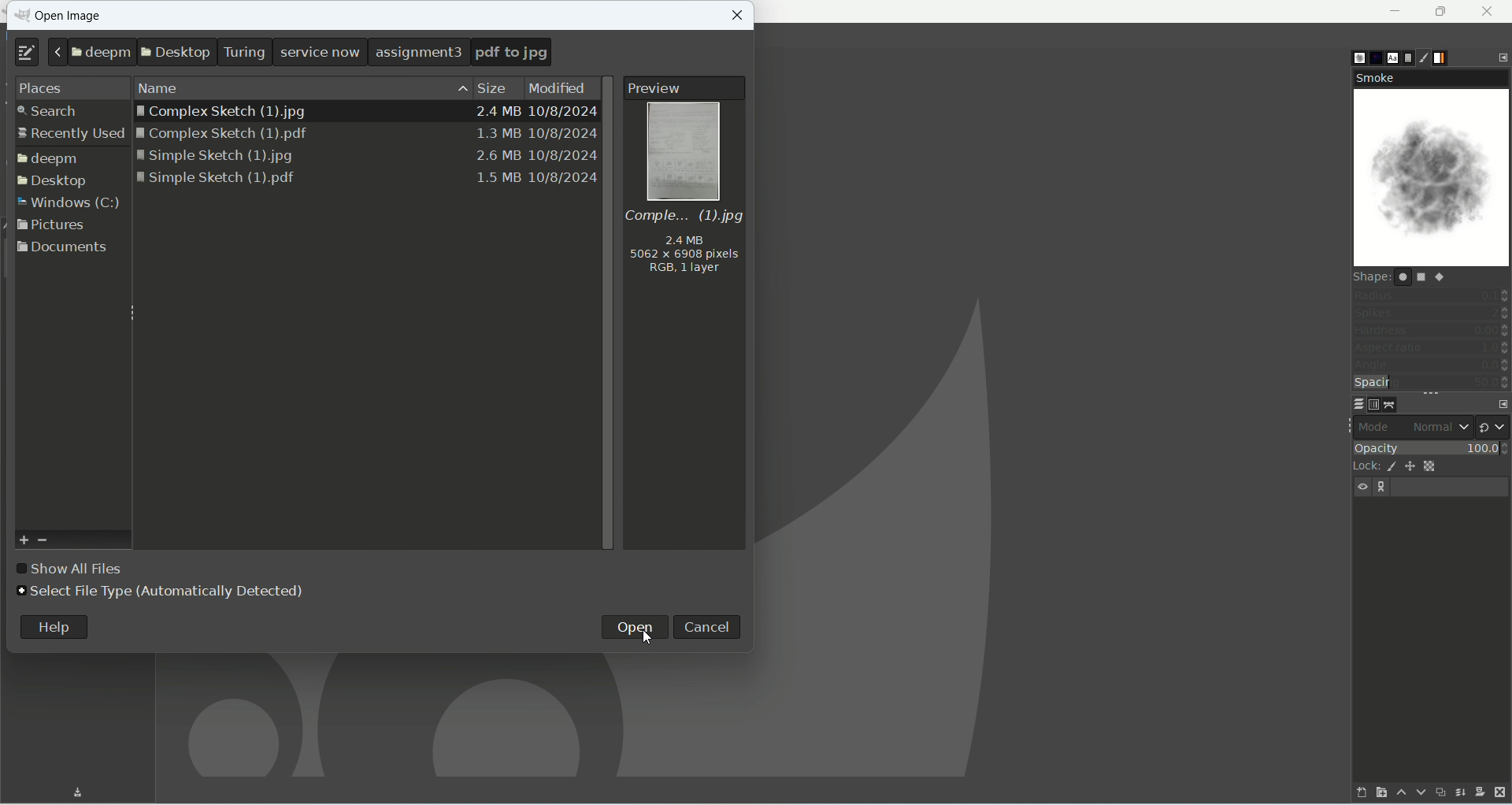  What do you see at coordinates (80, 789) in the screenshot?
I see `Download` at bounding box center [80, 789].